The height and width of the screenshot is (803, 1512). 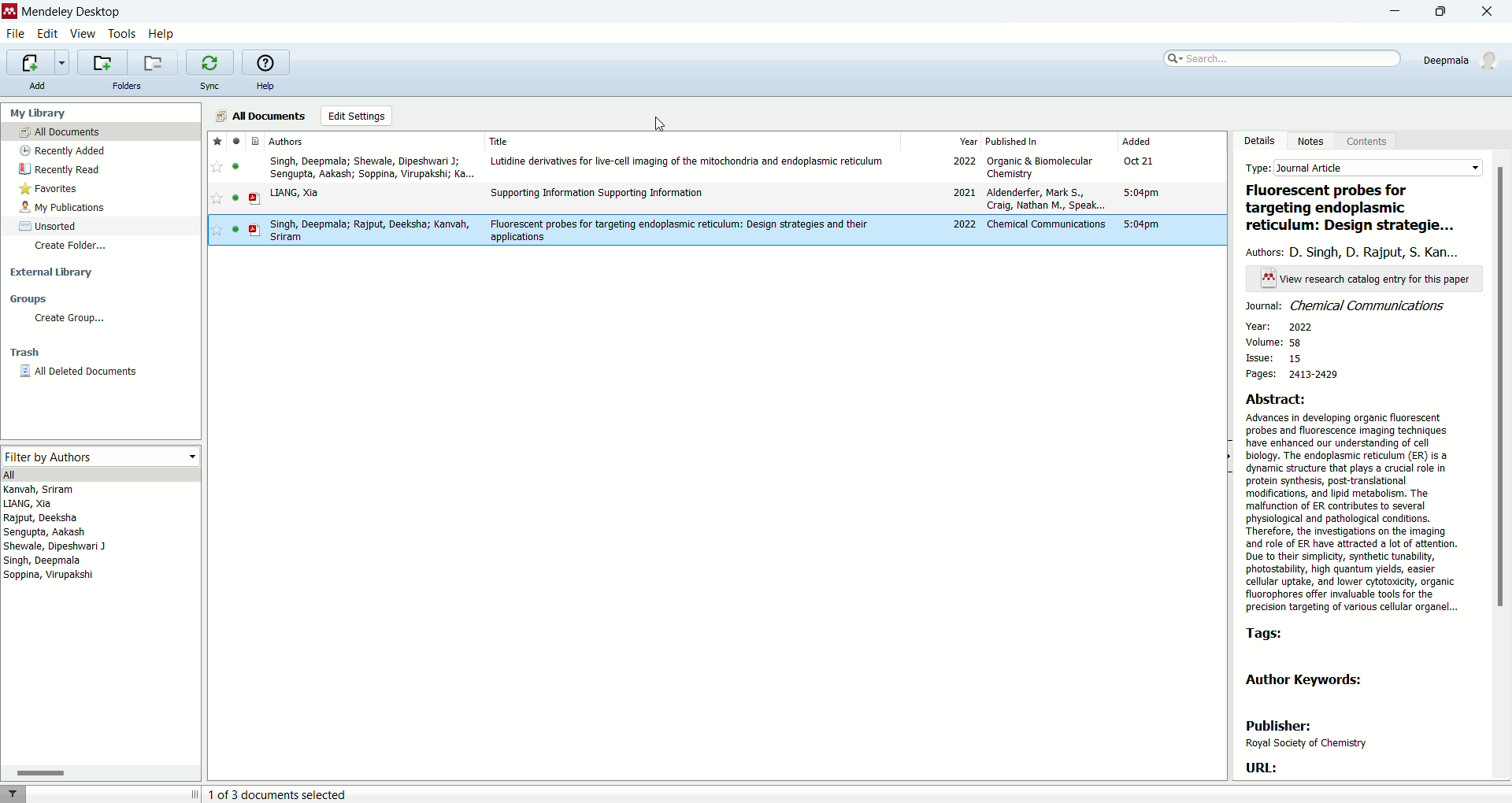 What do you see at coordinates (1314, 142) in the screenshot?
I see `notes` at bounding box center [1314, 142].